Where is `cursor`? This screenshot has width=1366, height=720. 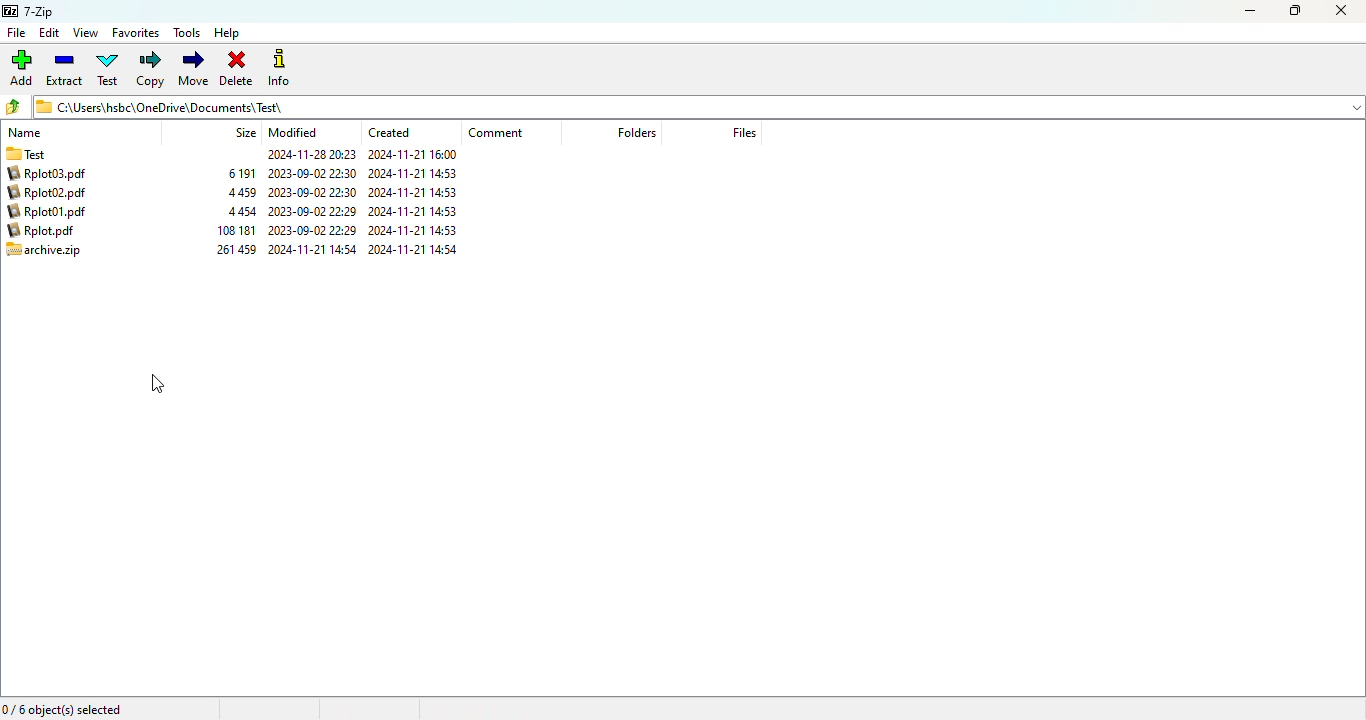 cursor is located at coordinates (157, 384).